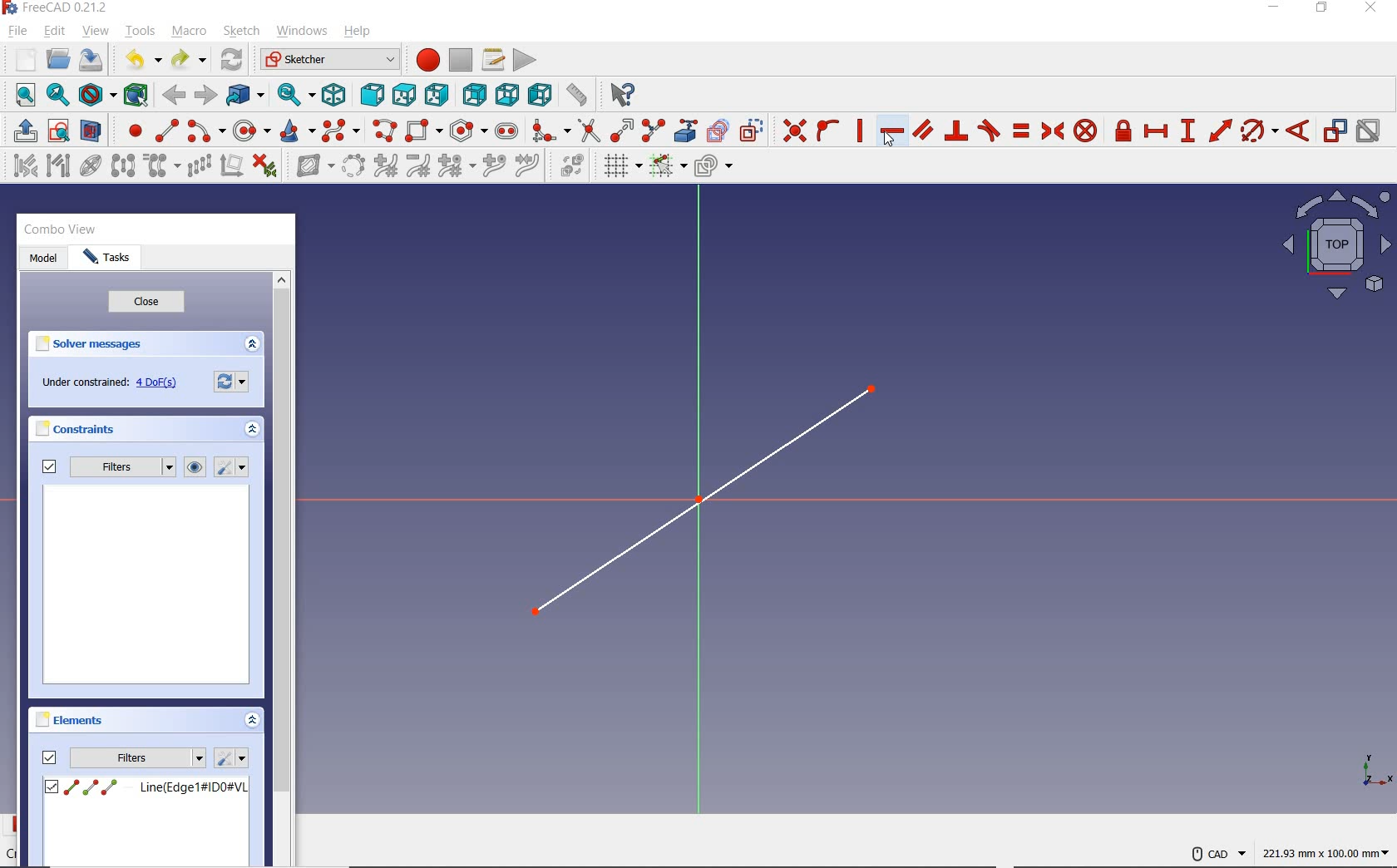 Image resolution: width=1397 pixels, height=868 pixels. What do you see at coordinates (859, 129) in the screenshot?
I see `CONSTRAIN VERTICALLY` at bounding box center [859, 129].